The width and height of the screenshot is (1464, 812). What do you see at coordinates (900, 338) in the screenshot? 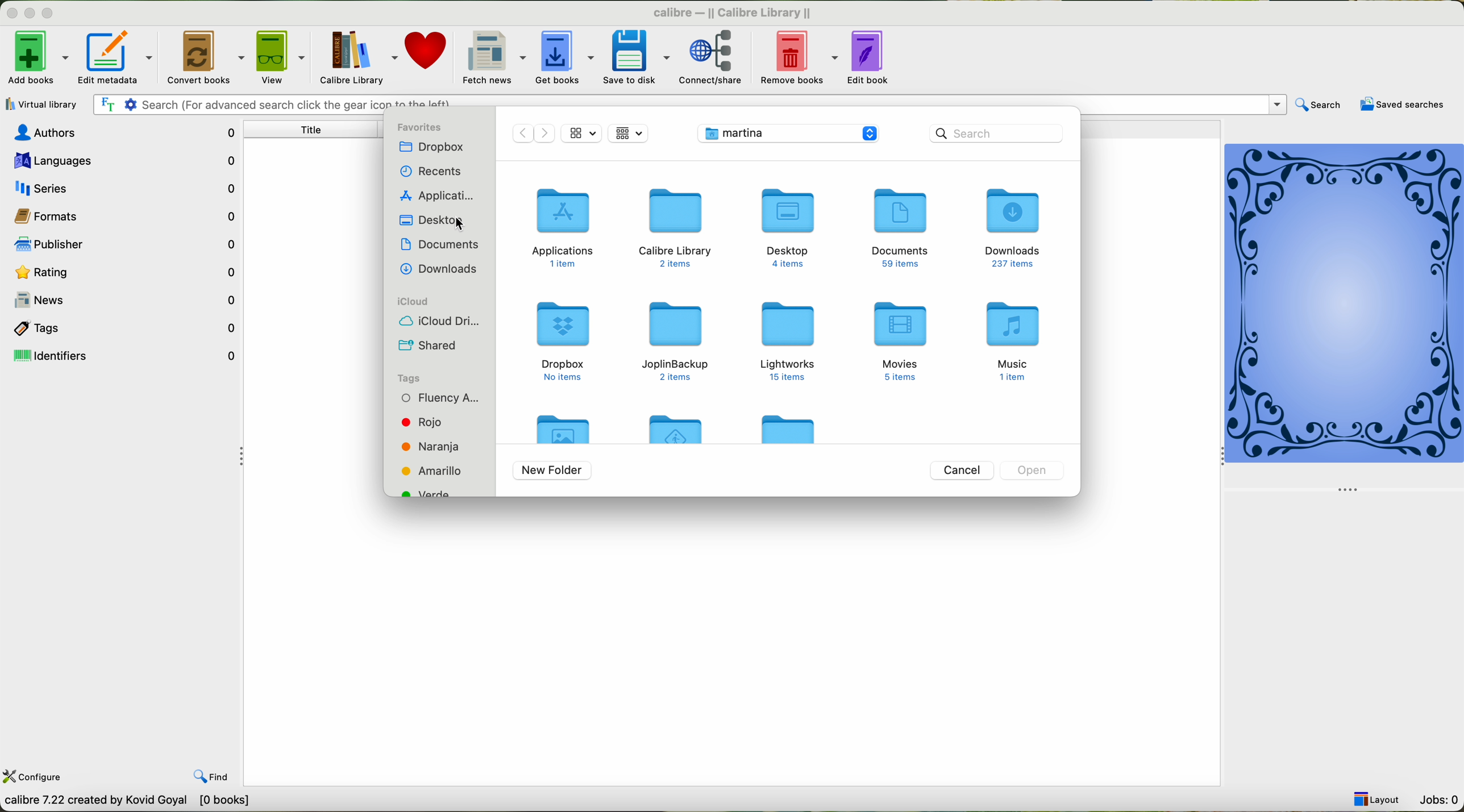
I see `Movies` at bounding box center [900, 338].